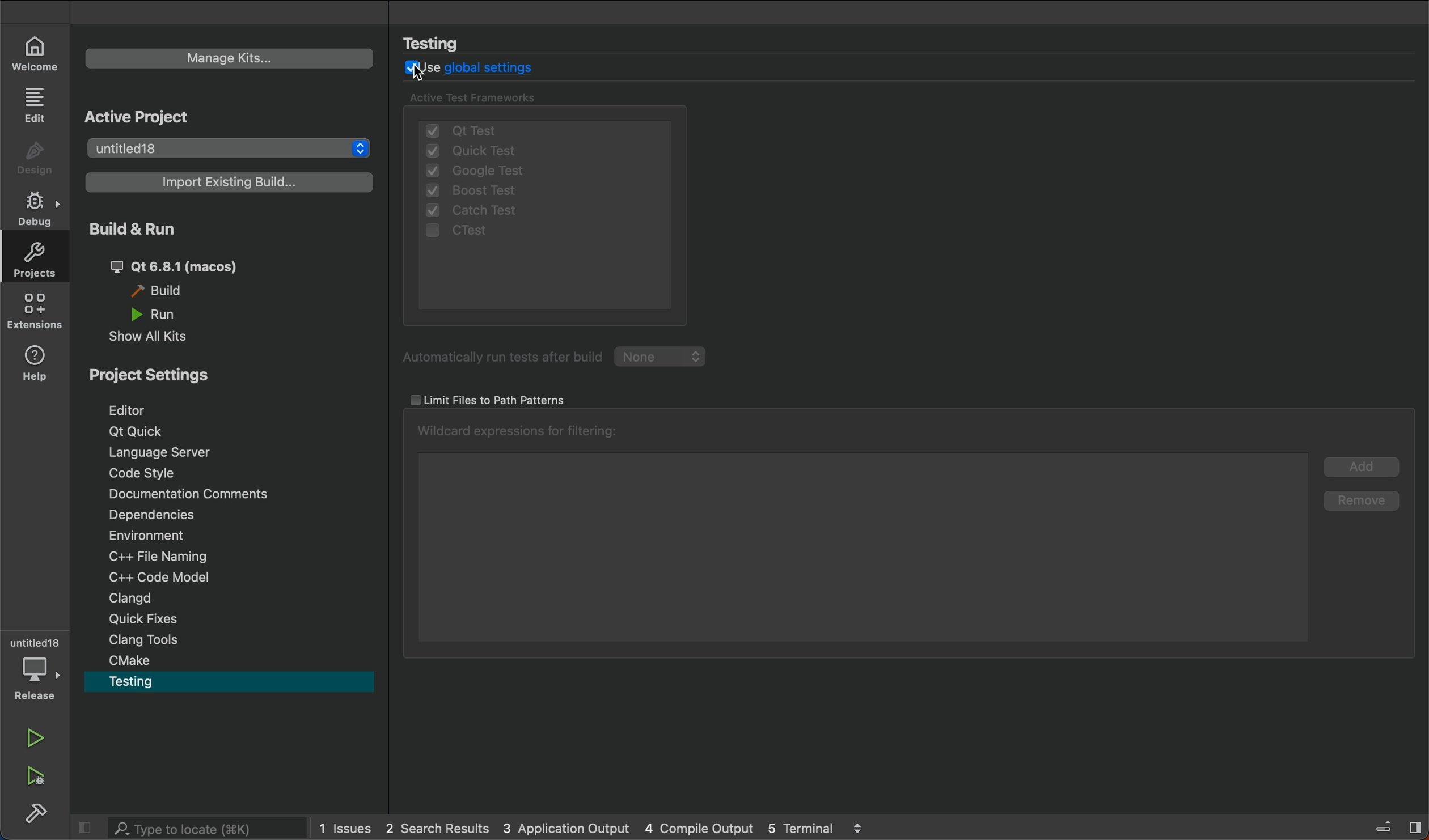 Image resolution: width=1429 pixels, height=840 pixels. I want to click on welcome, so click(32, 52).